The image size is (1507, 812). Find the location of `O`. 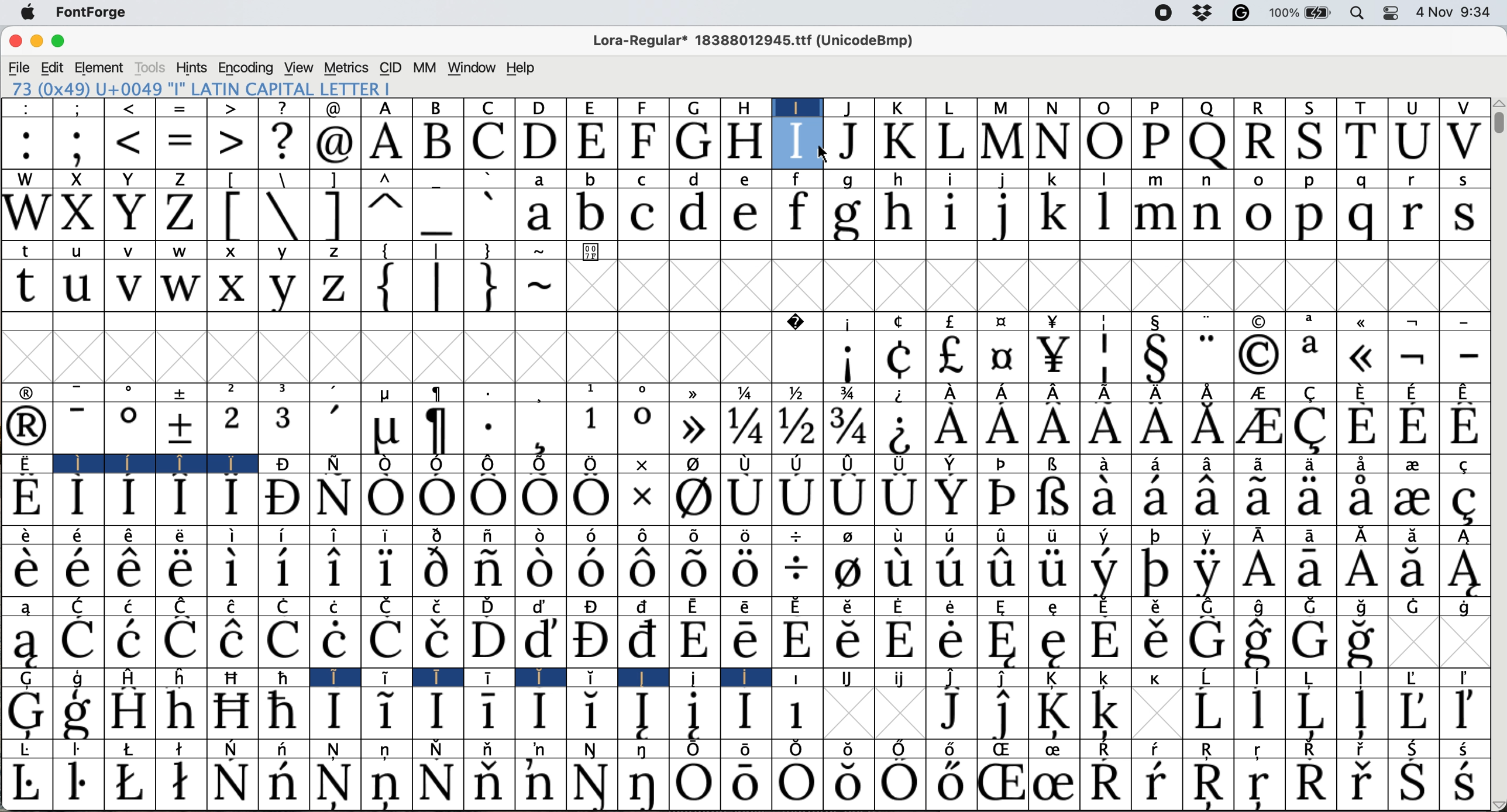

O is located at coordinates (1107, 109).